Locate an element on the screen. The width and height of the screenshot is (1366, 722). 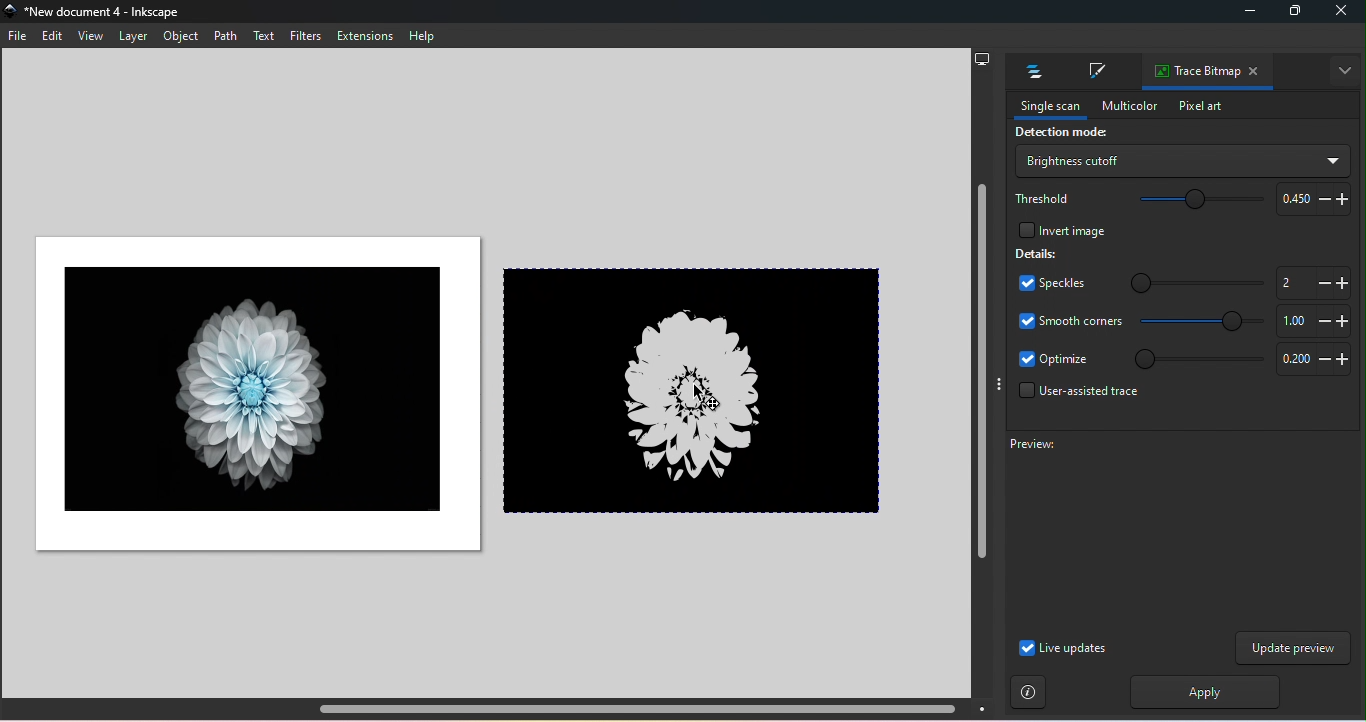
Vertical scroll bar is located at coordinates (980, 385).